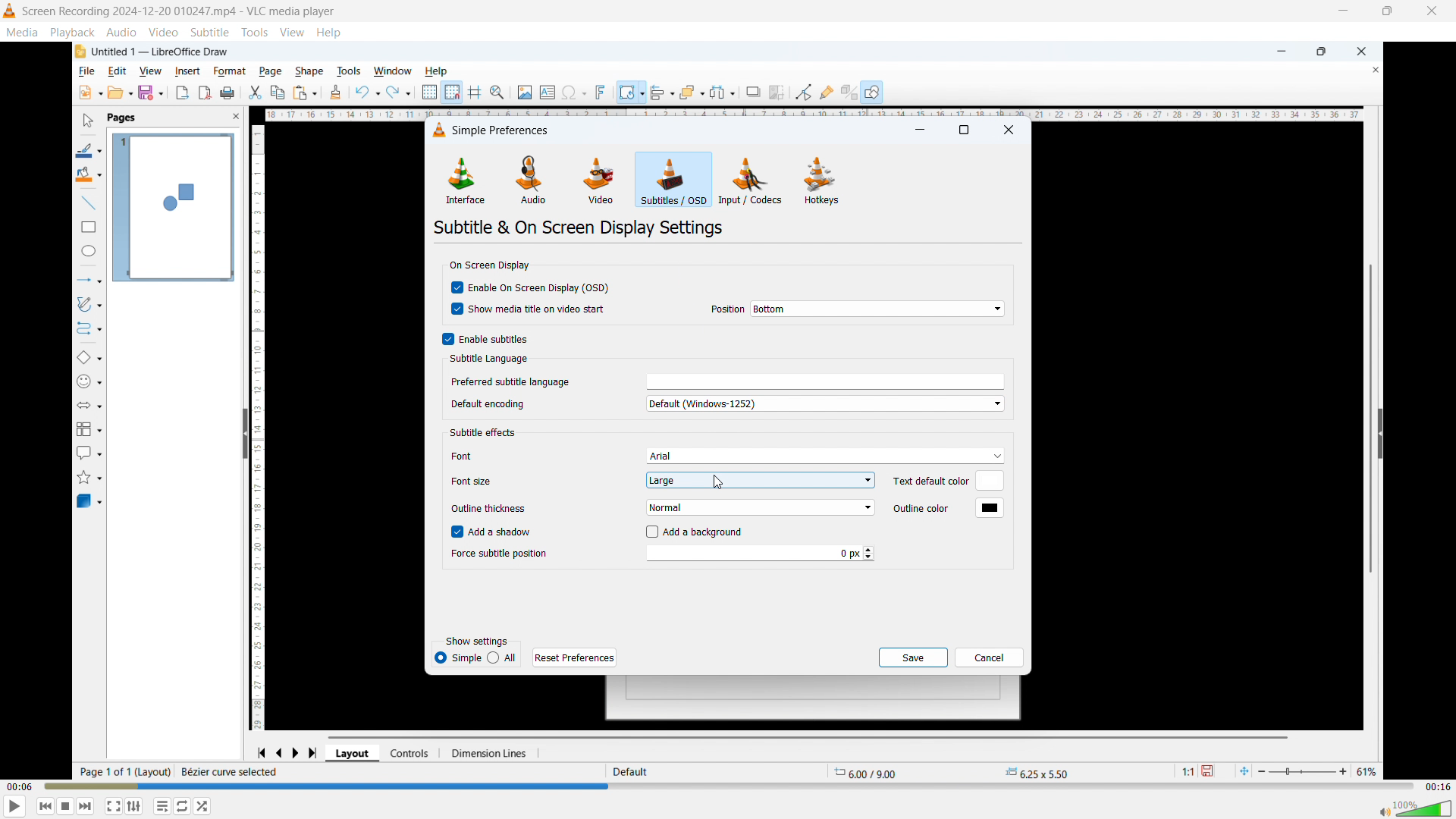  What do you see at coordinates (928, 481) in the screenshot?
I see `Text default color` at bounding box center [928, 481].